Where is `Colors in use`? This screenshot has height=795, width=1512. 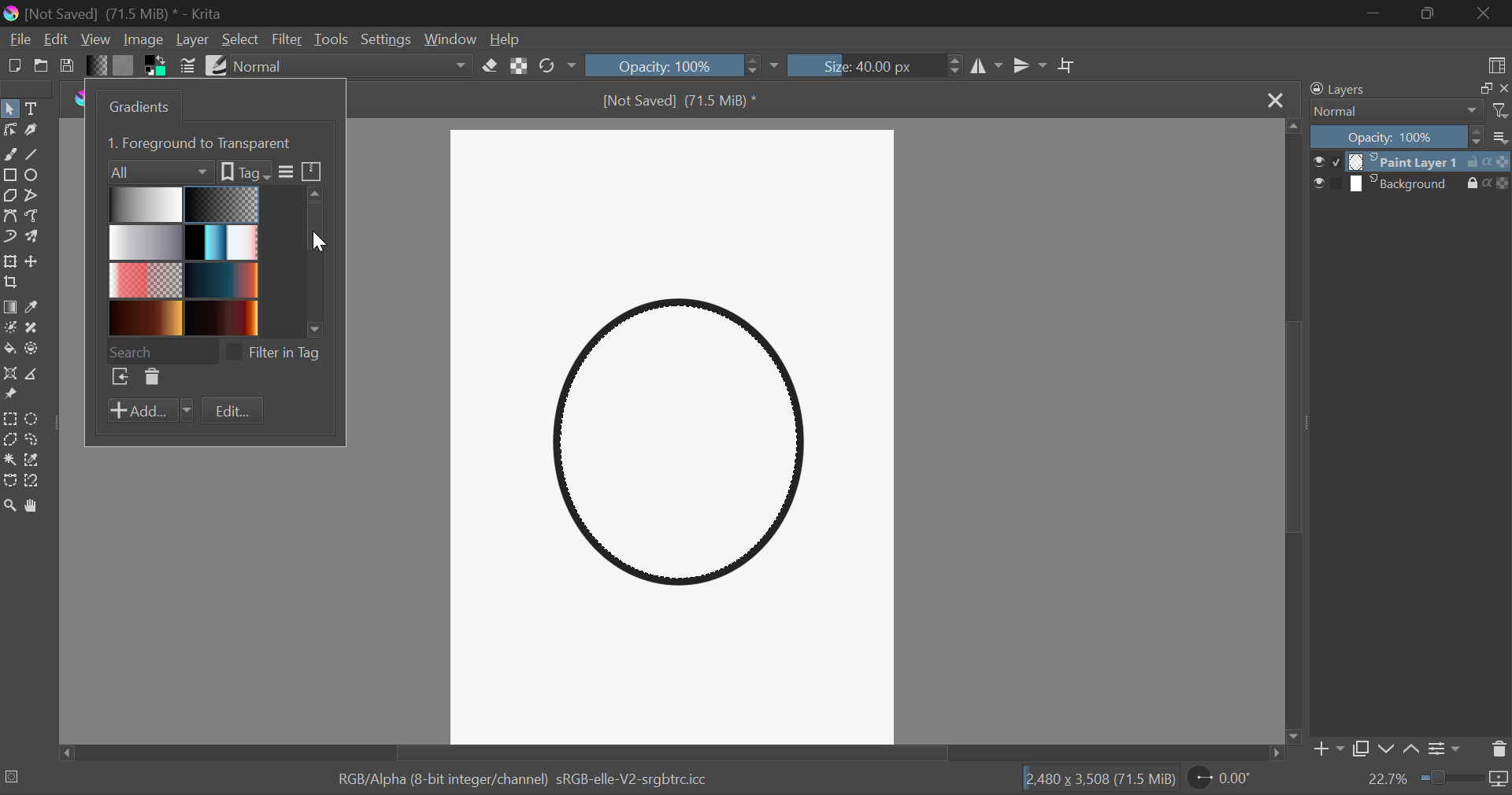 Colors in use is located at coordinates (156, 67).